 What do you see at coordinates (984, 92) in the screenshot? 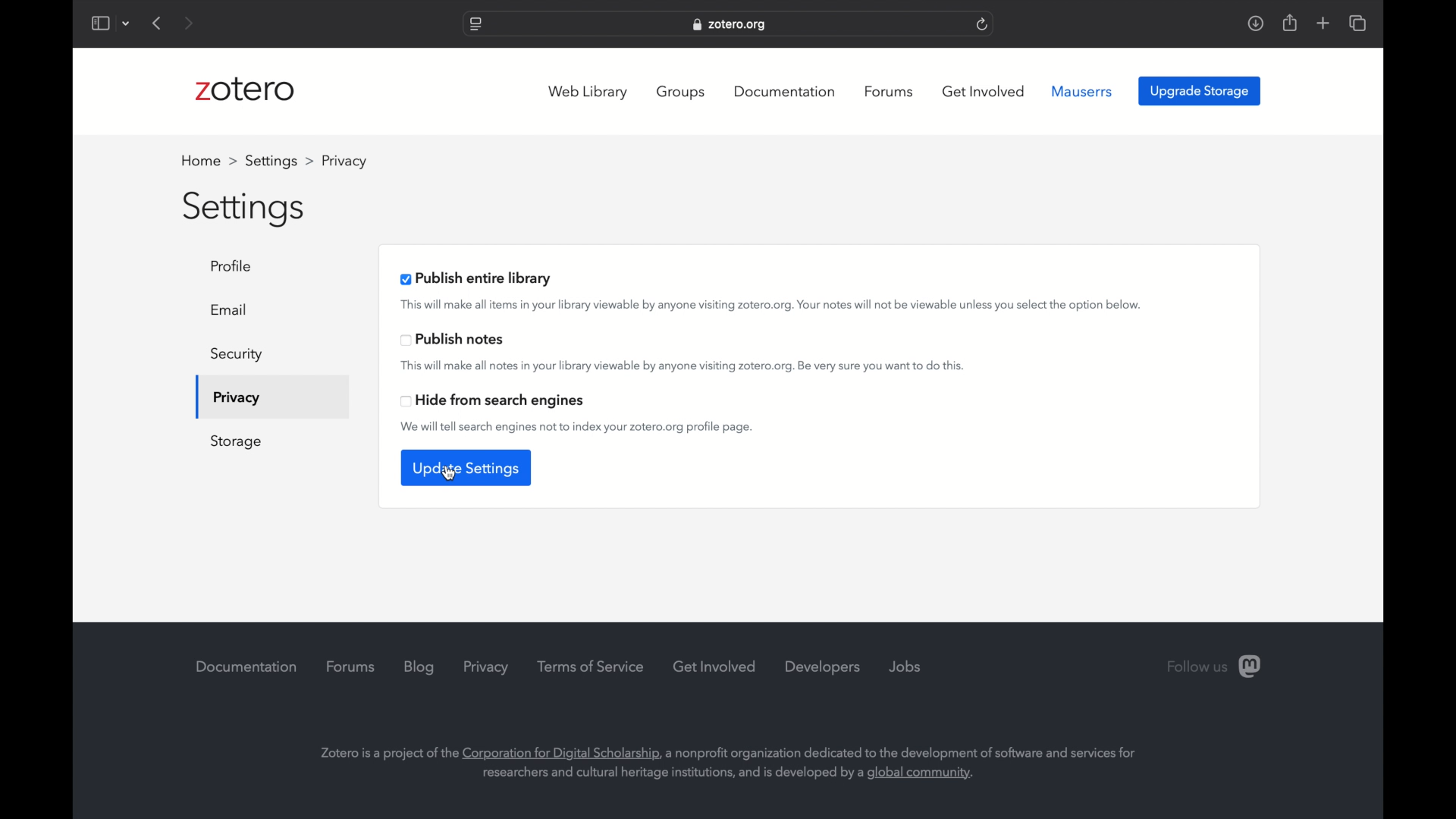
I see `get involved` at bounding box center [984, 92].